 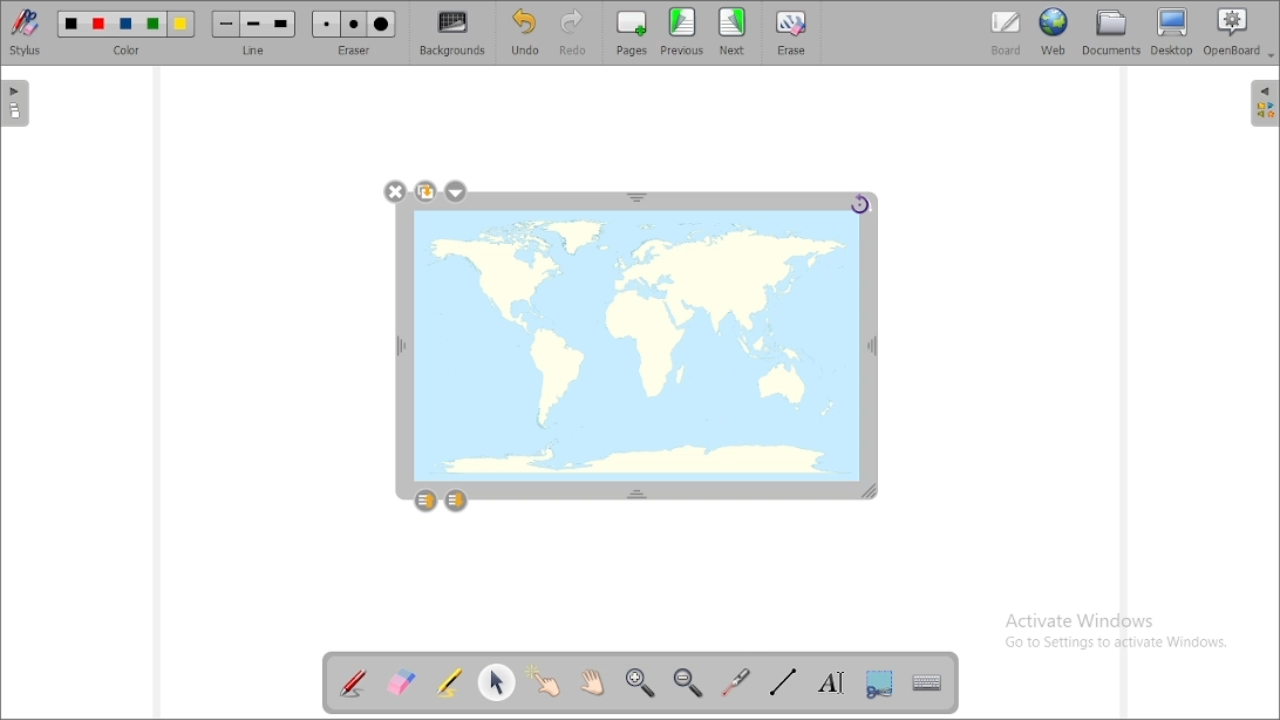 What do you see at coordinates (127, 32) in the screenshot?
I see `color` at bounding box center [127, 32].